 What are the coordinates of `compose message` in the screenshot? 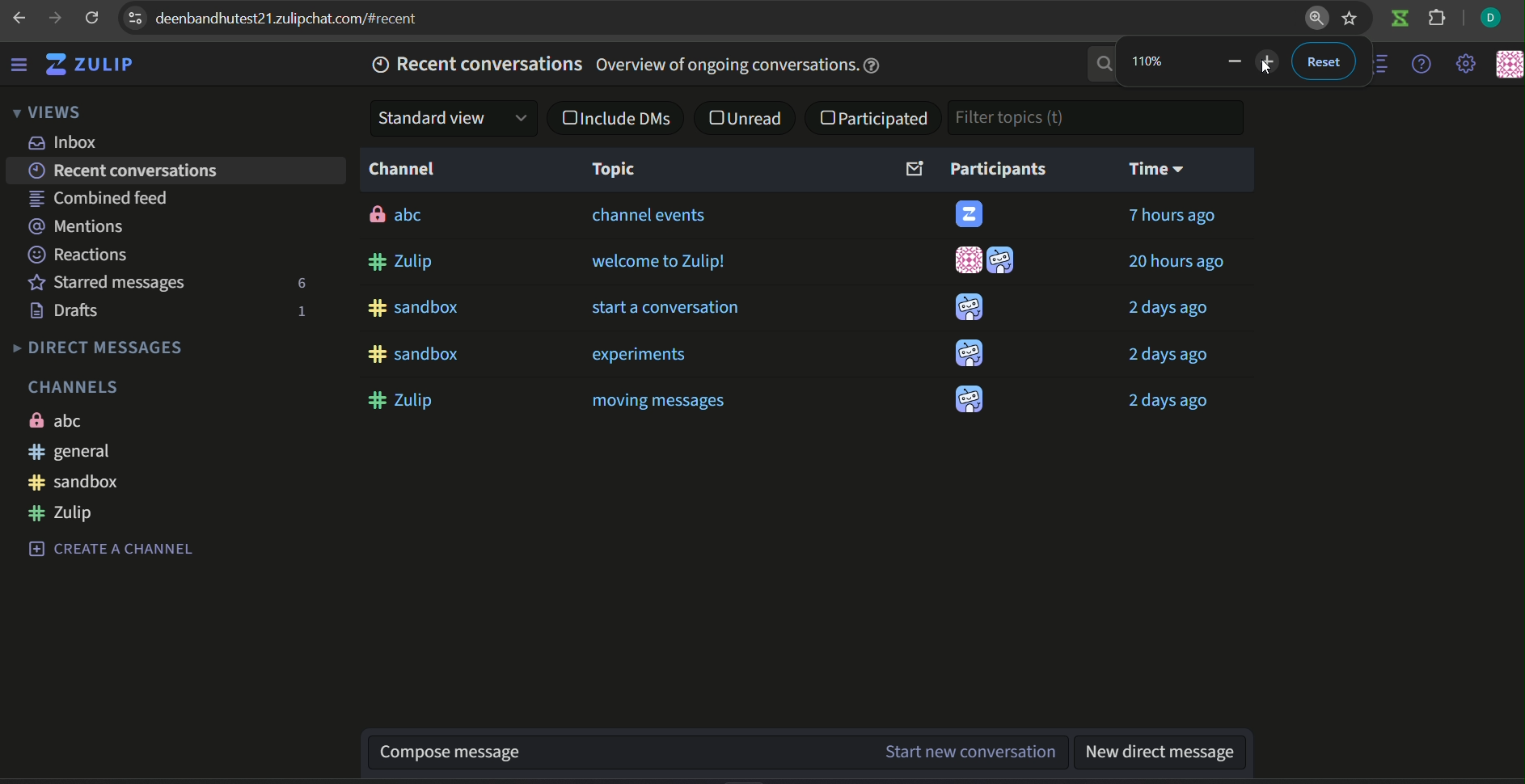 It's located at (619, 752).